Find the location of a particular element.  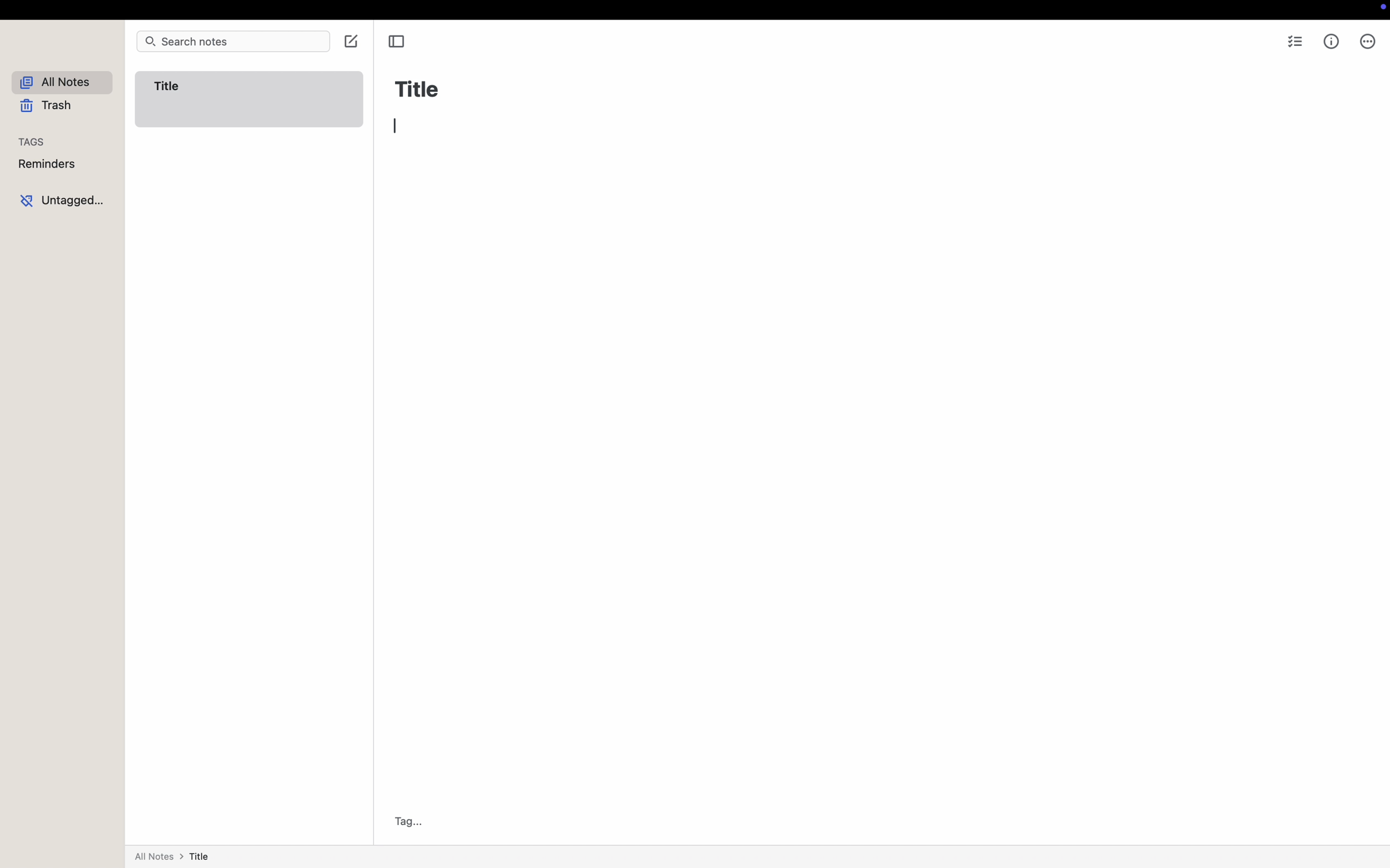

checklist is located at coordinates (1292, 44).